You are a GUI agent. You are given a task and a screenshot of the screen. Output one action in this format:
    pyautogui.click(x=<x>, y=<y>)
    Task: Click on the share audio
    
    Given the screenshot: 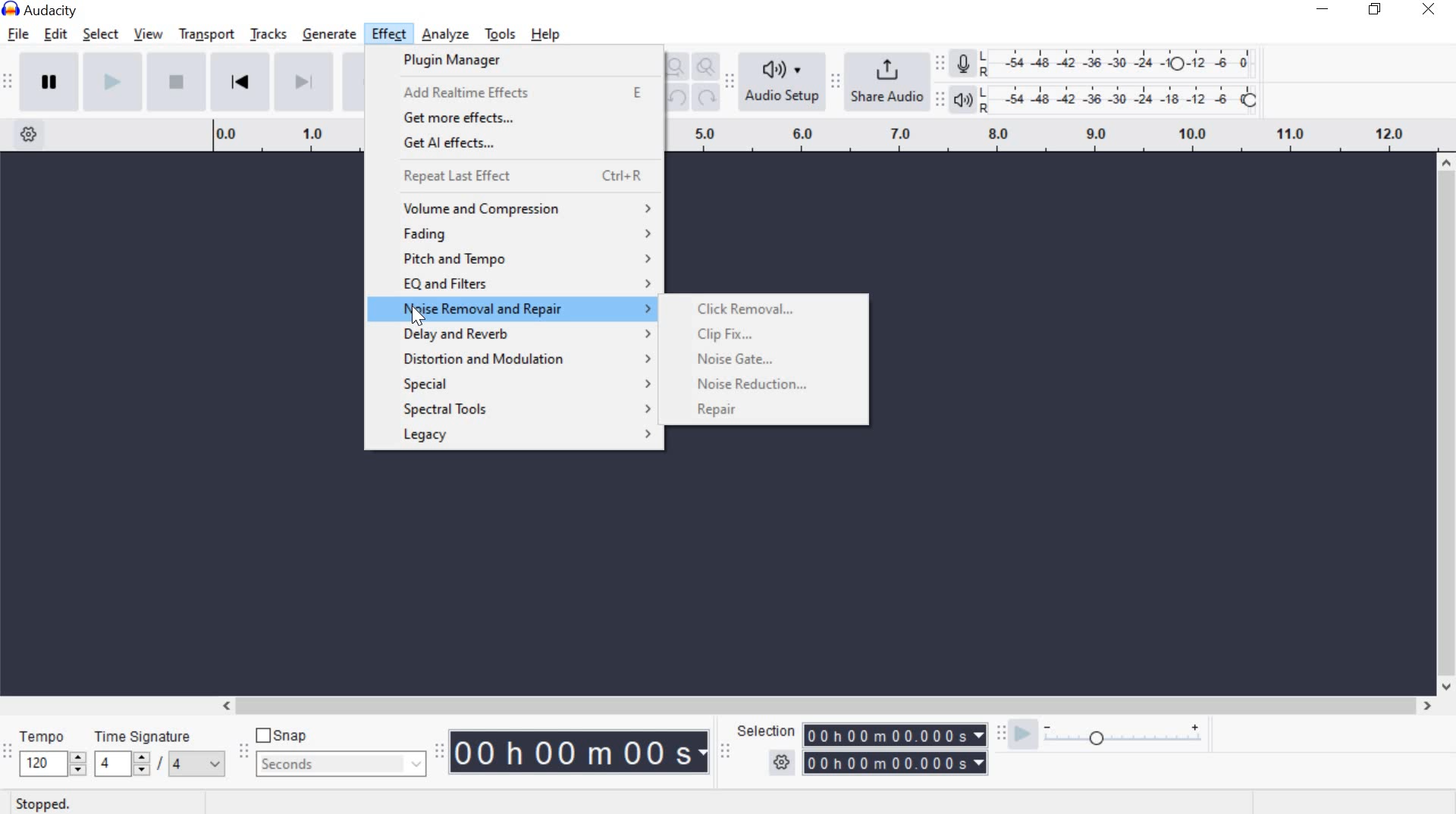 What is the action you would take?
    pyautogui.click(x=886, y=77)
    